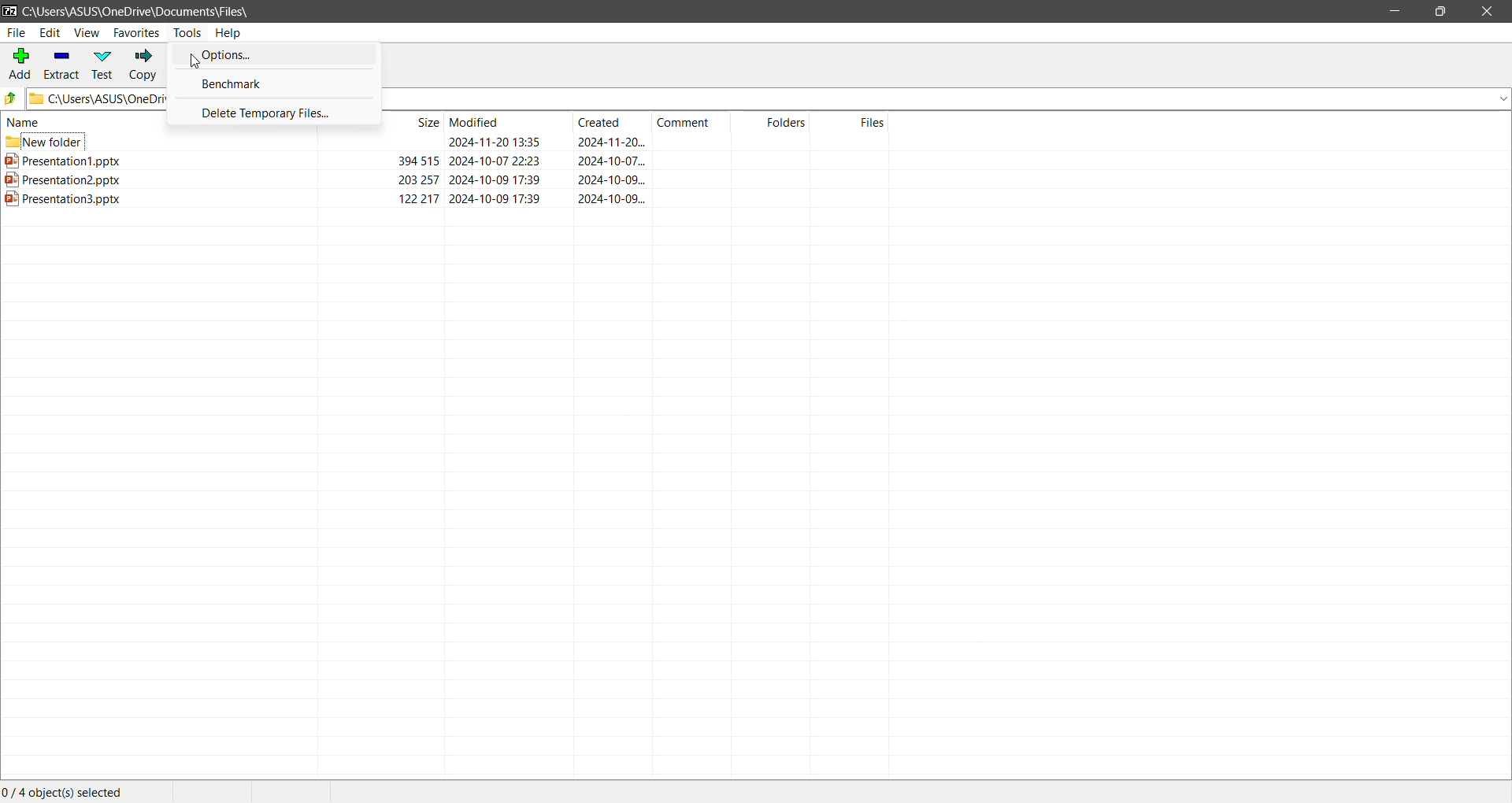 Image resolution: width=1512 pixels, height=803 pixels. What do you see at coordinates (87, 121) in the screenshot?
I see `name` at bounding box center [87, 121].